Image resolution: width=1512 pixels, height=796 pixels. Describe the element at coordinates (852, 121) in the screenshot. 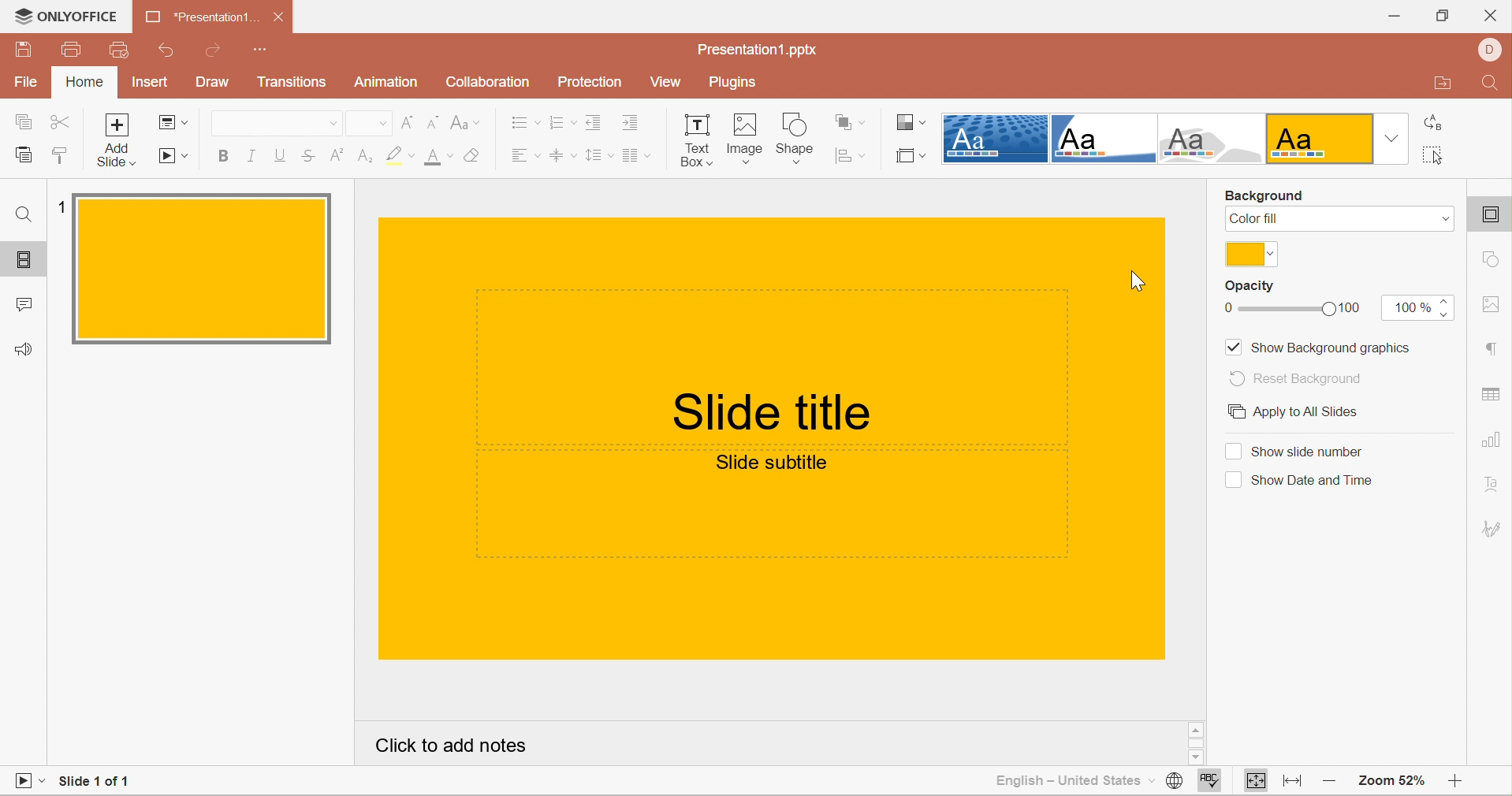

I see `Arrange shape` at that location.